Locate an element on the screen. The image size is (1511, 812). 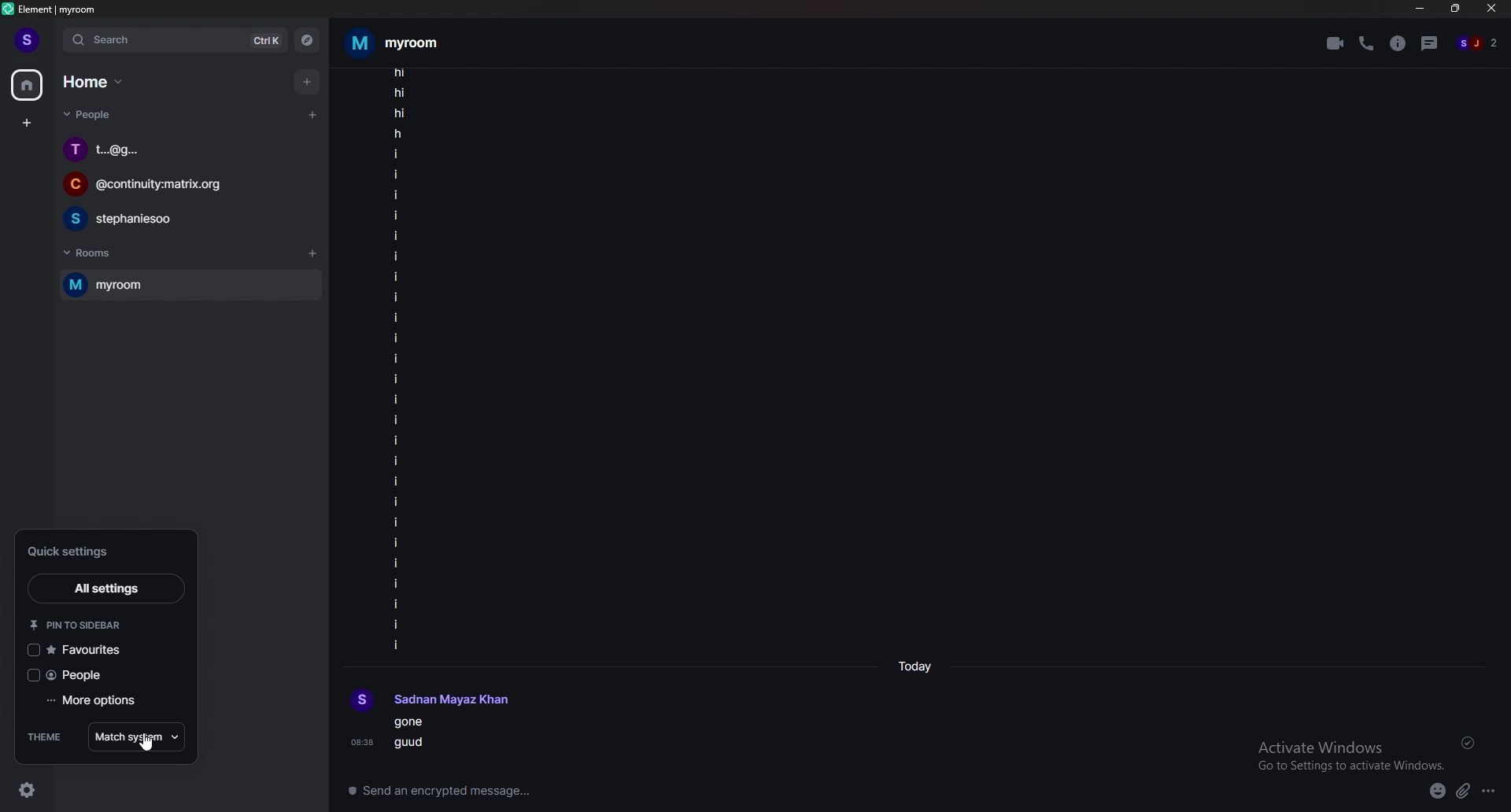
home is located at coordinates (28, 86).